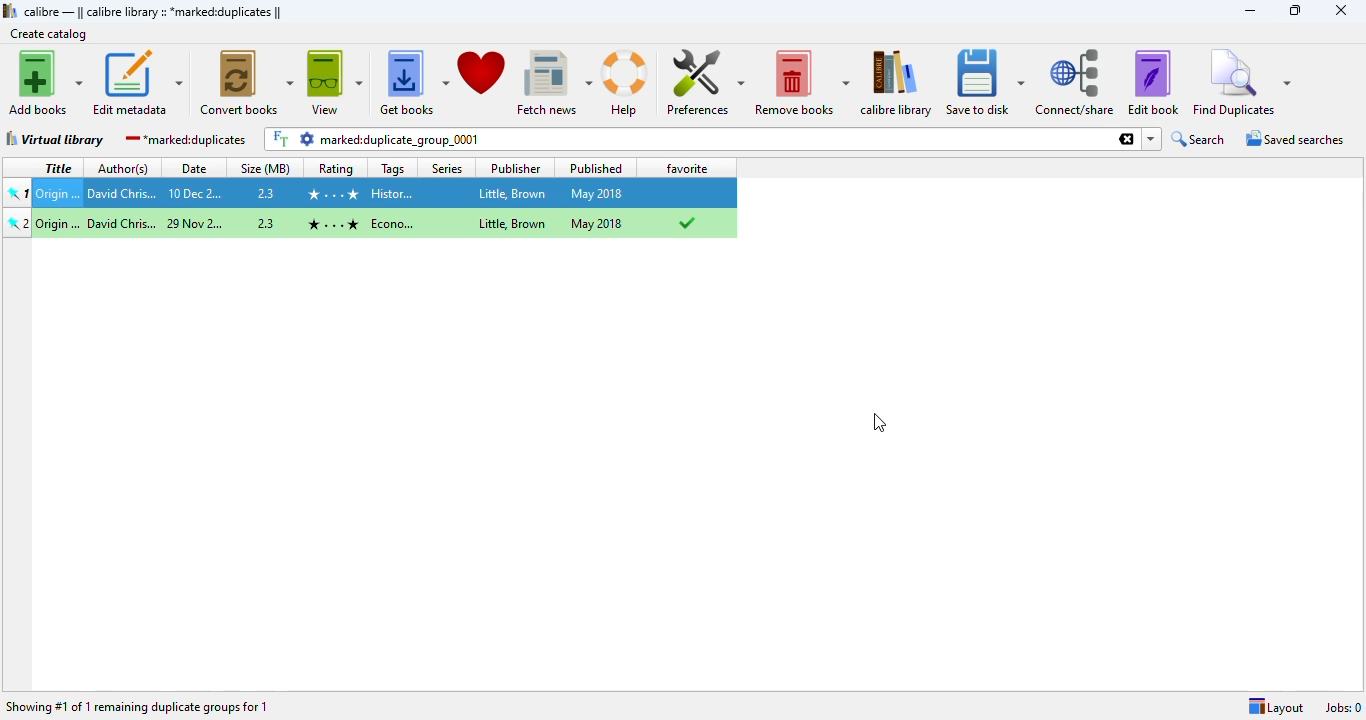  Describe the element at coordinates (334, 82) in the screenshot. I see `view` at that location.